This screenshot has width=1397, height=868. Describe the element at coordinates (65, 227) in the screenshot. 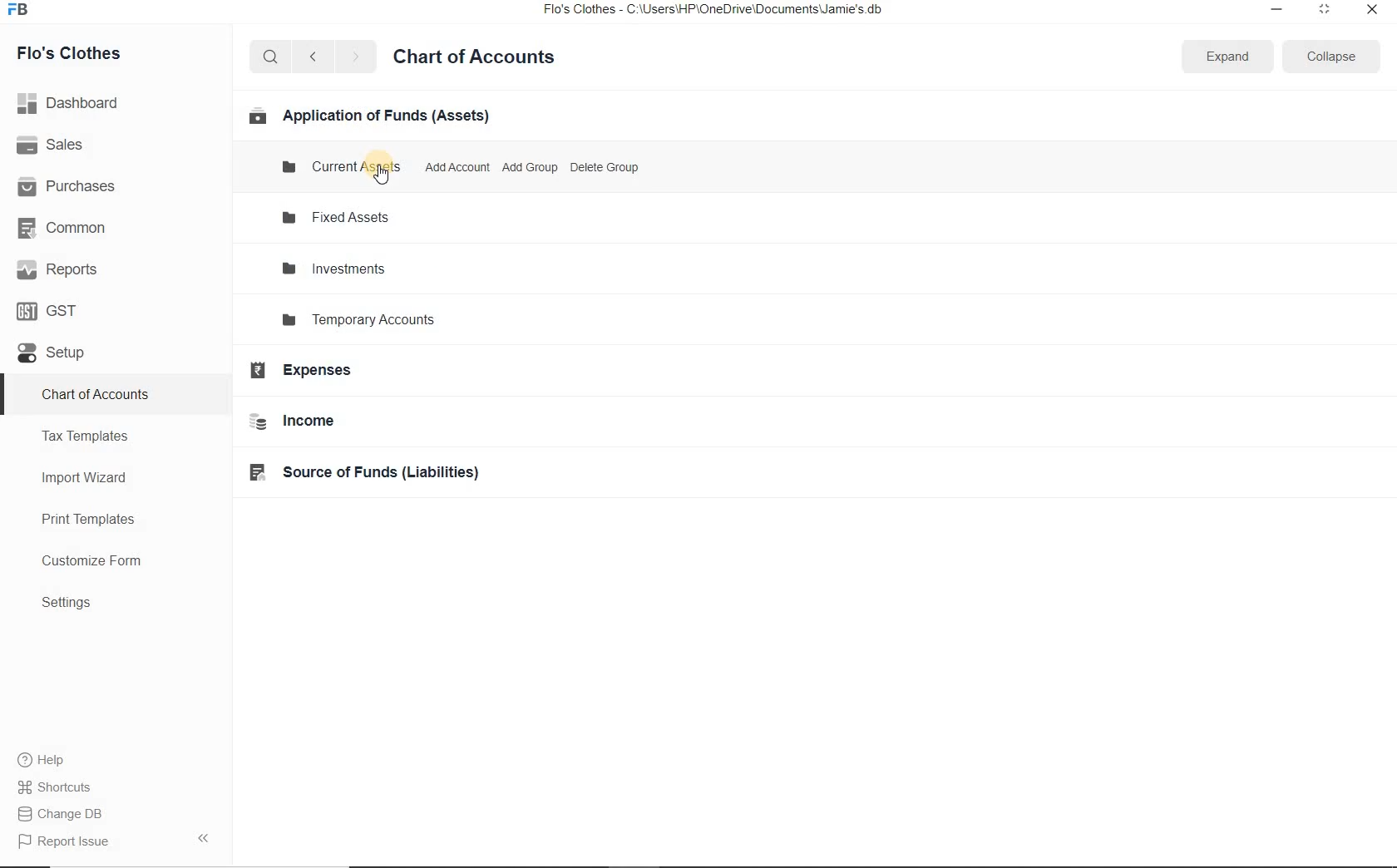

I see `Common` at that location.